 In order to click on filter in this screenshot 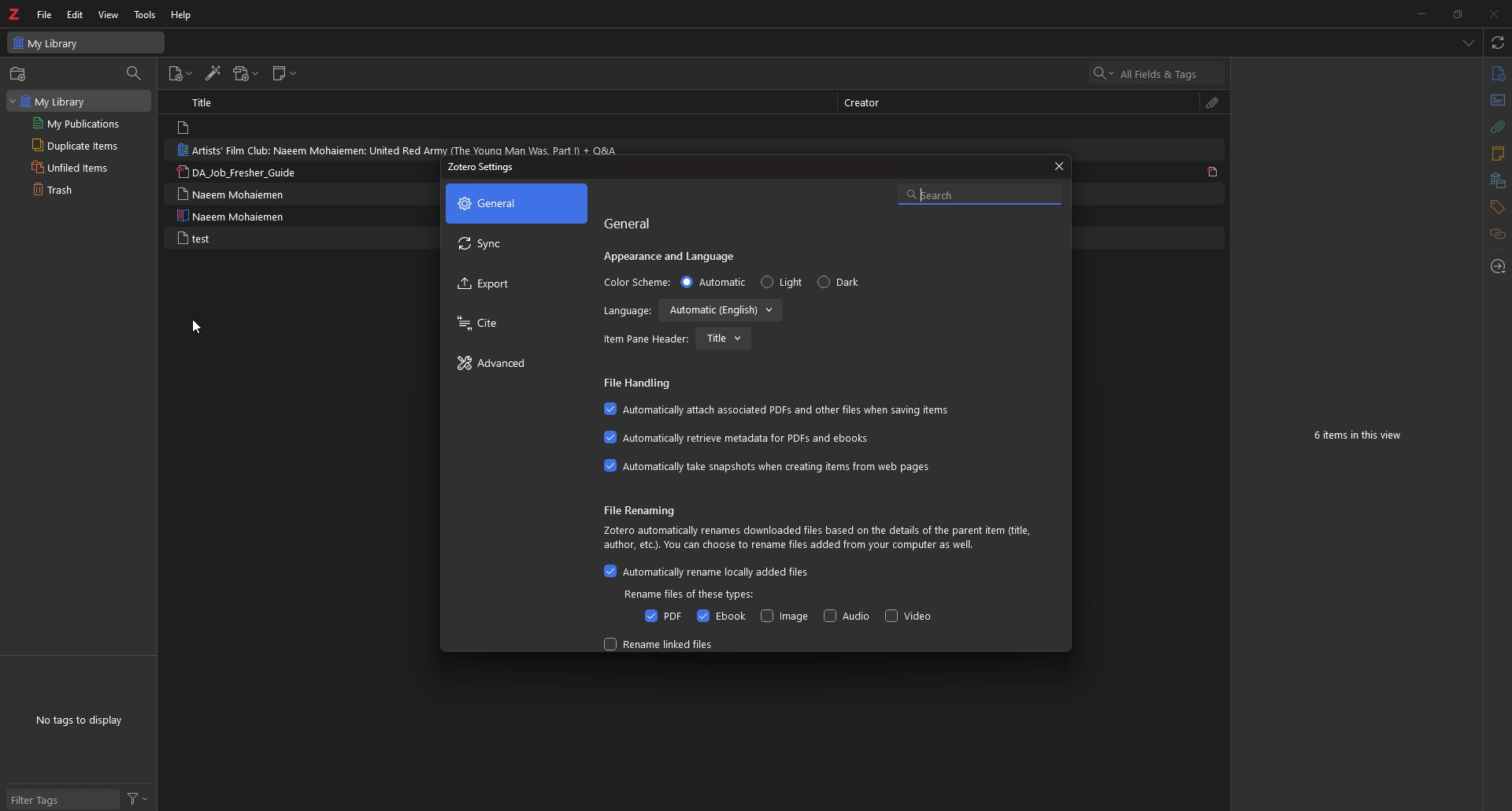, I will do `click(137, 799)`.